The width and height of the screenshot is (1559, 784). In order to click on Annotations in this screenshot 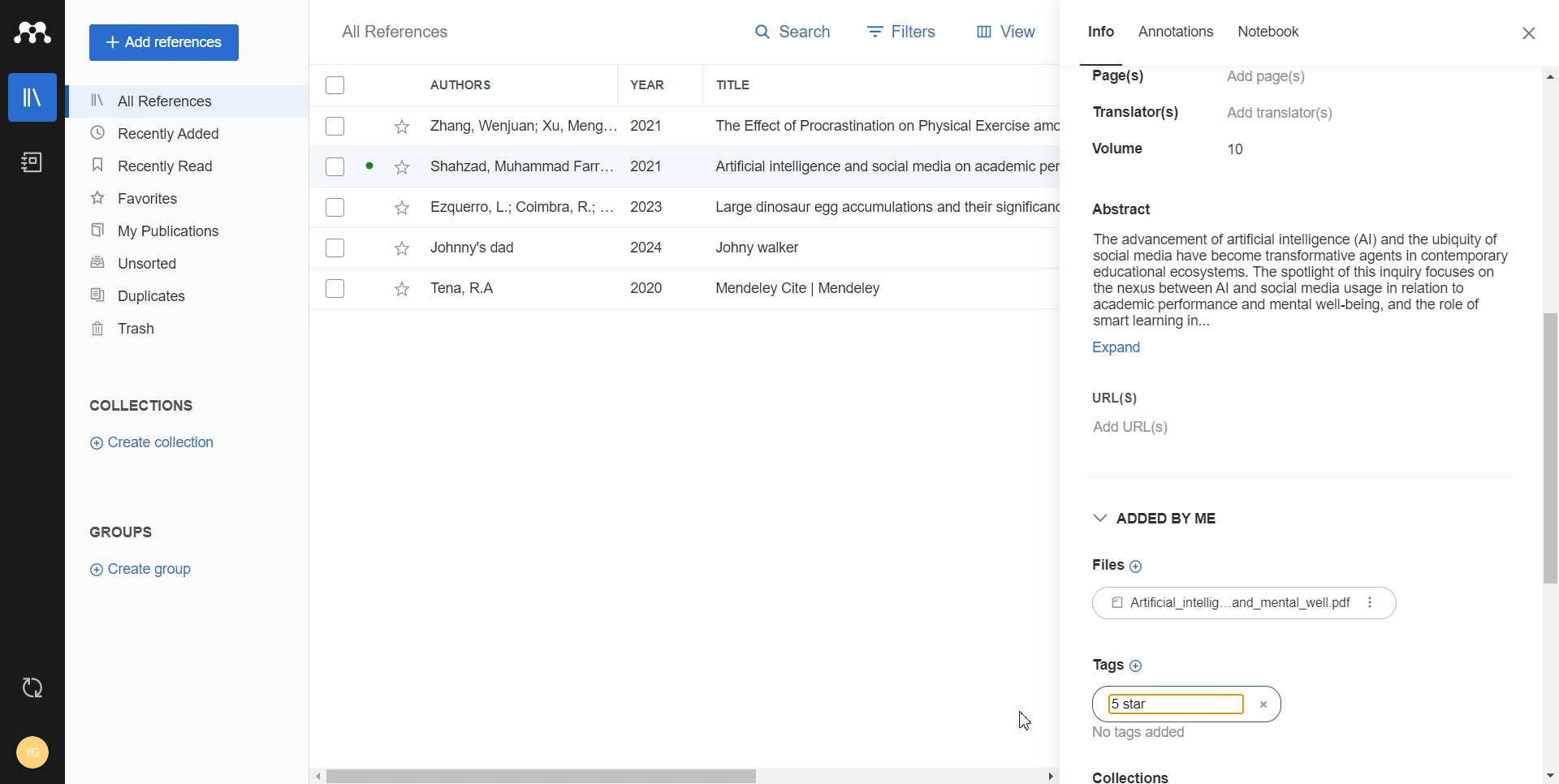, I will do `click(1177, 40)`.